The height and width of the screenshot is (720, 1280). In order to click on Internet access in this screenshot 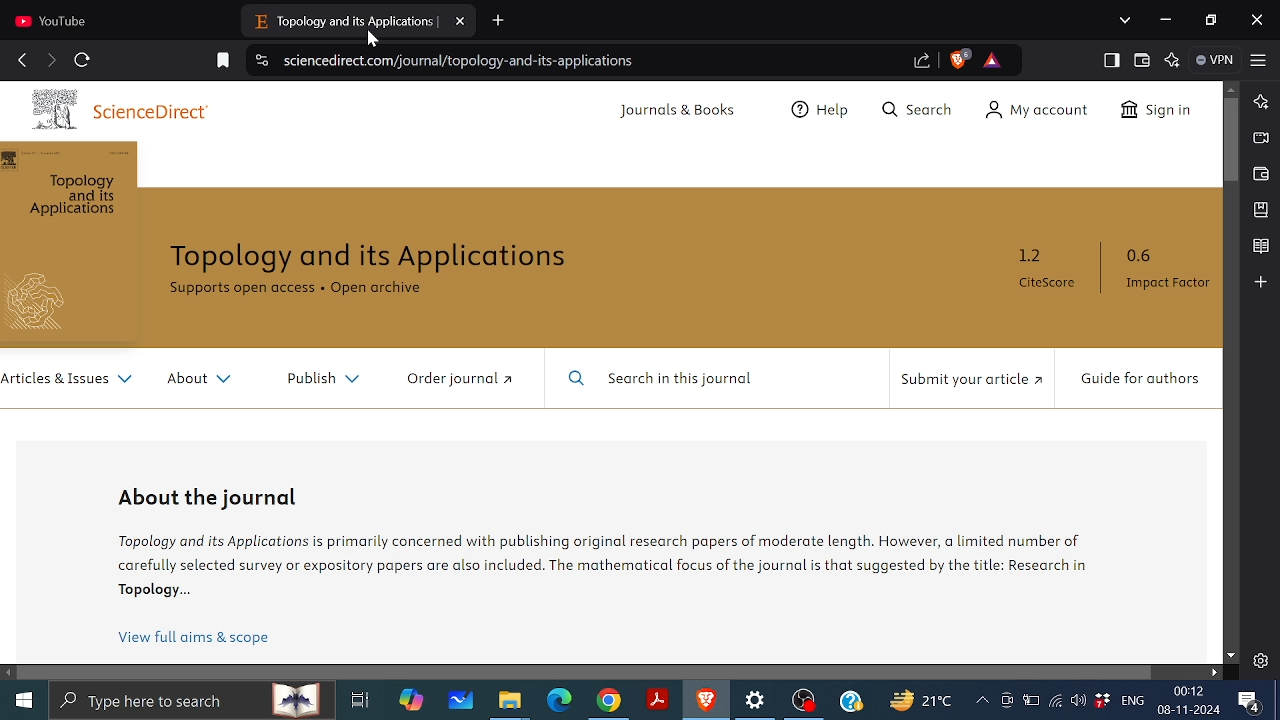, I will do `click(1054, 700)`.